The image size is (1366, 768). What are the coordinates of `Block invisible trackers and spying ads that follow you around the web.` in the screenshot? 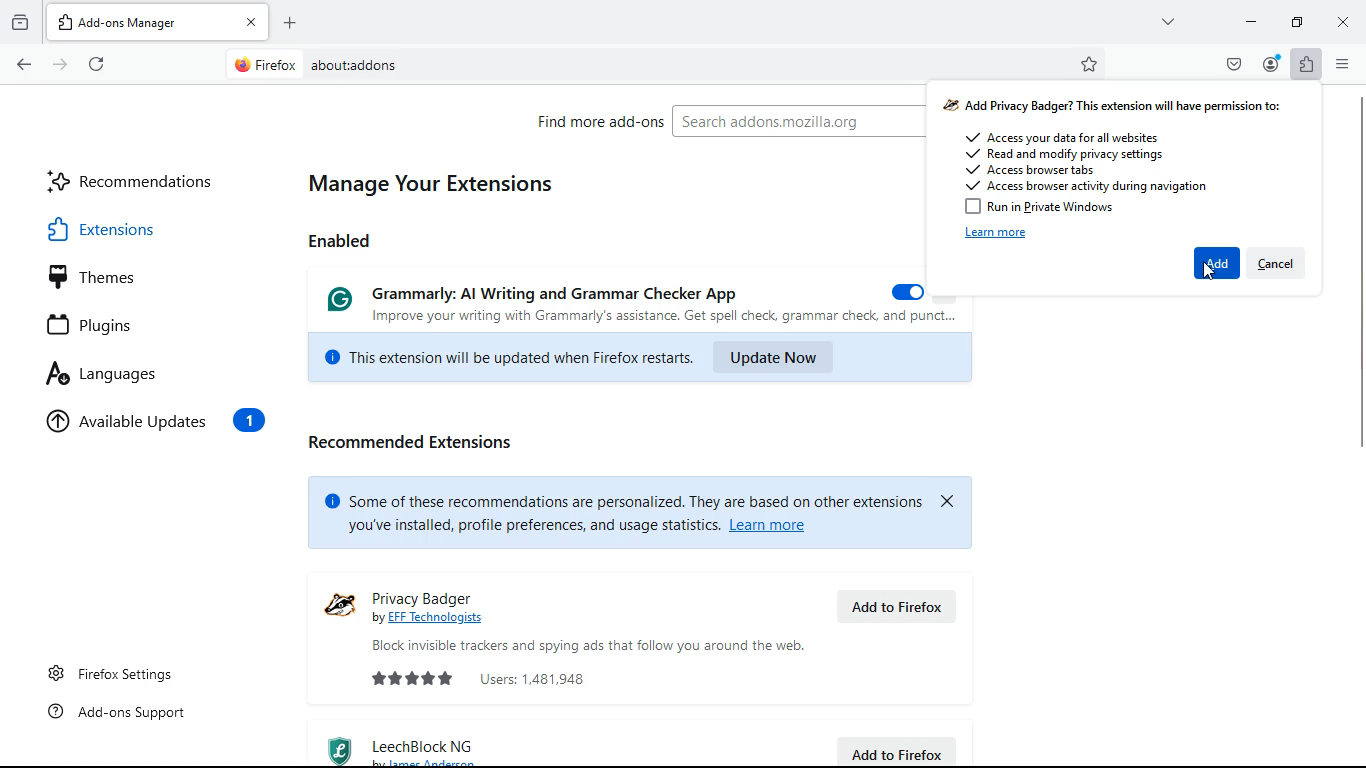 It's located at (584, 649).